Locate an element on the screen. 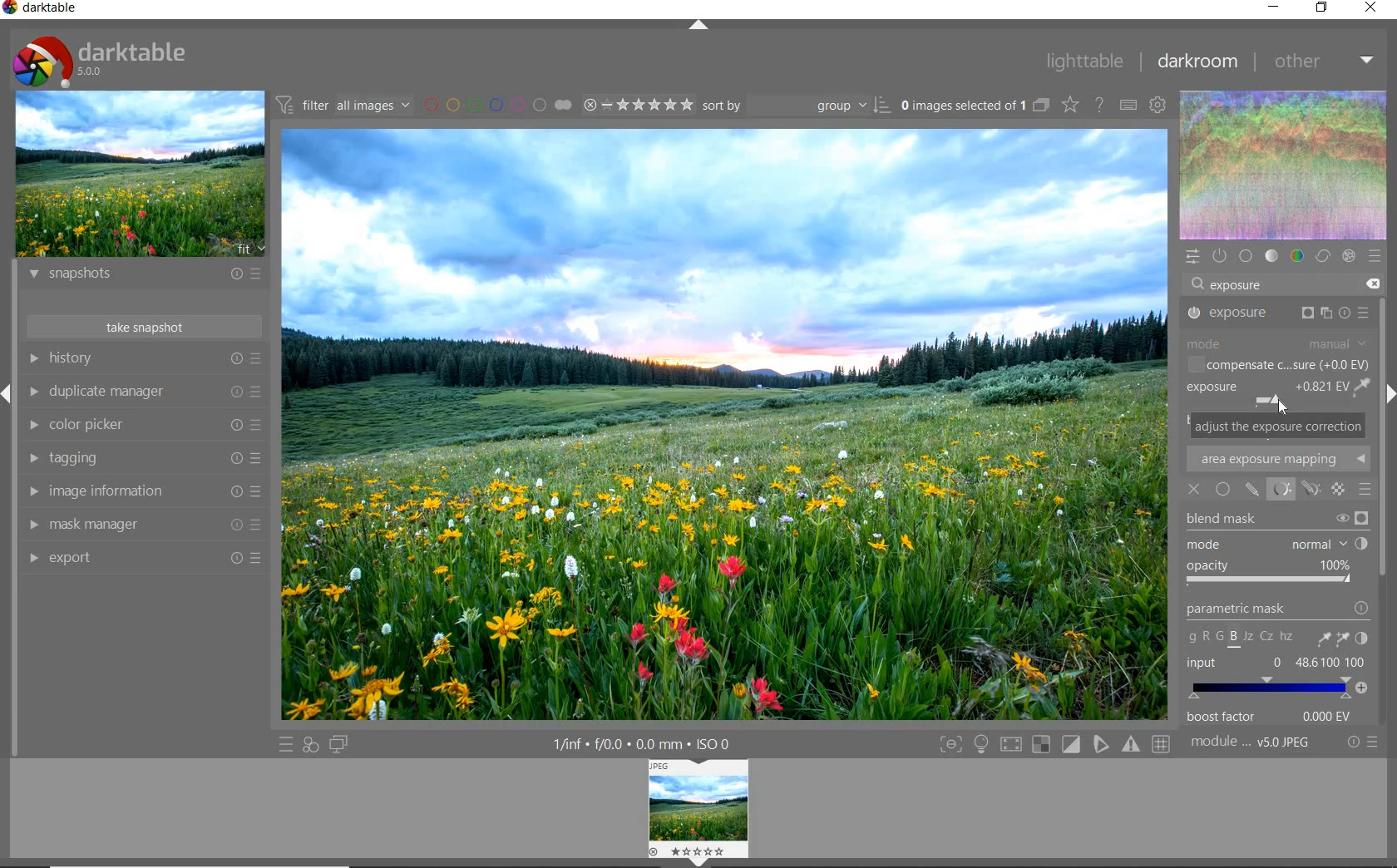  DELETE is located at coordinates (1374, 284).